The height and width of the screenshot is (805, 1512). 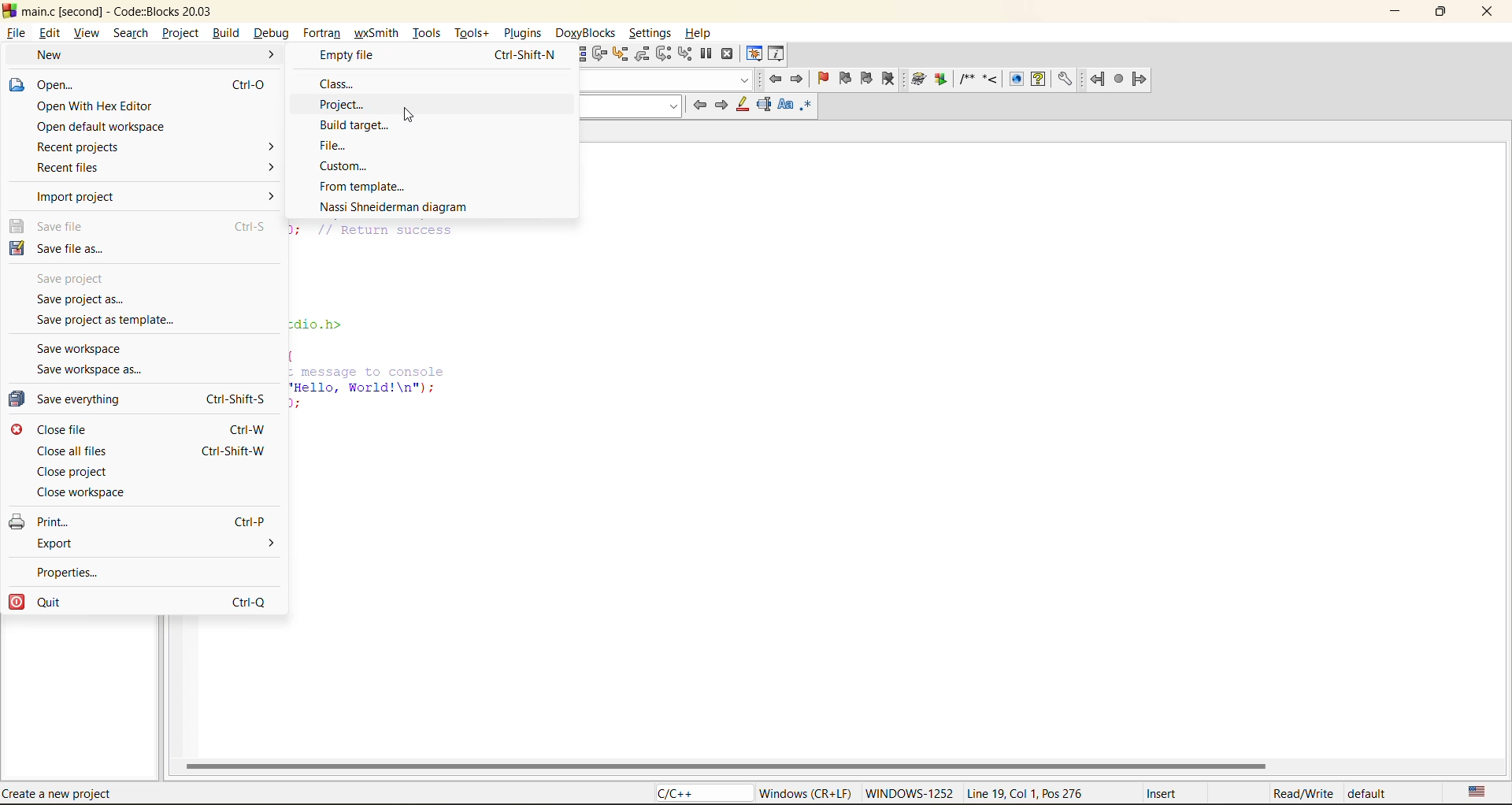 What do you see at coordinates (57, 227) in the screenshot?
I see `save file` at bounding box center [57, 227].